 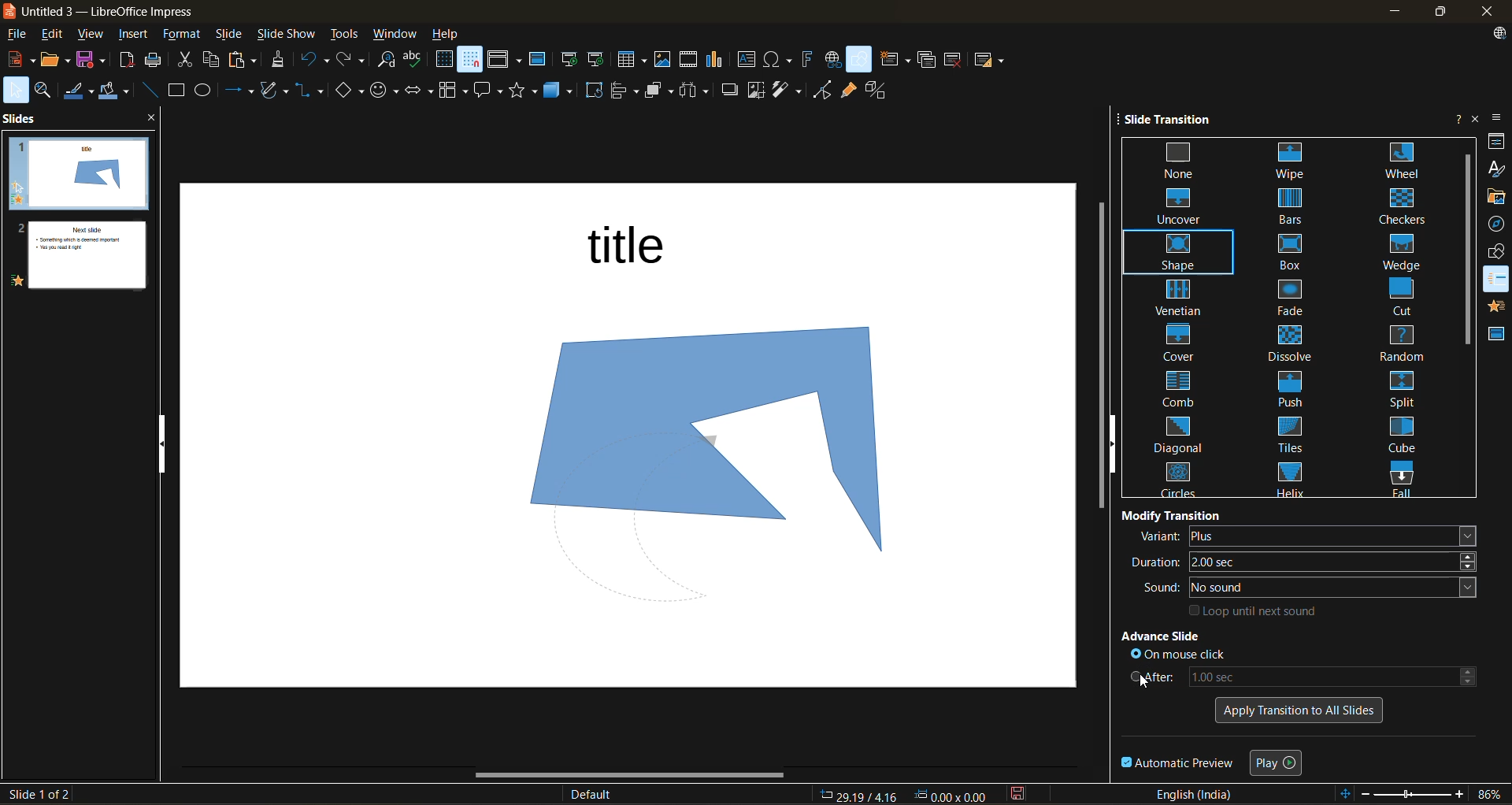 What do you see at coordinates (452, 91) in the screenshot?
I see `flowchart` at bounding box center [452, 91].